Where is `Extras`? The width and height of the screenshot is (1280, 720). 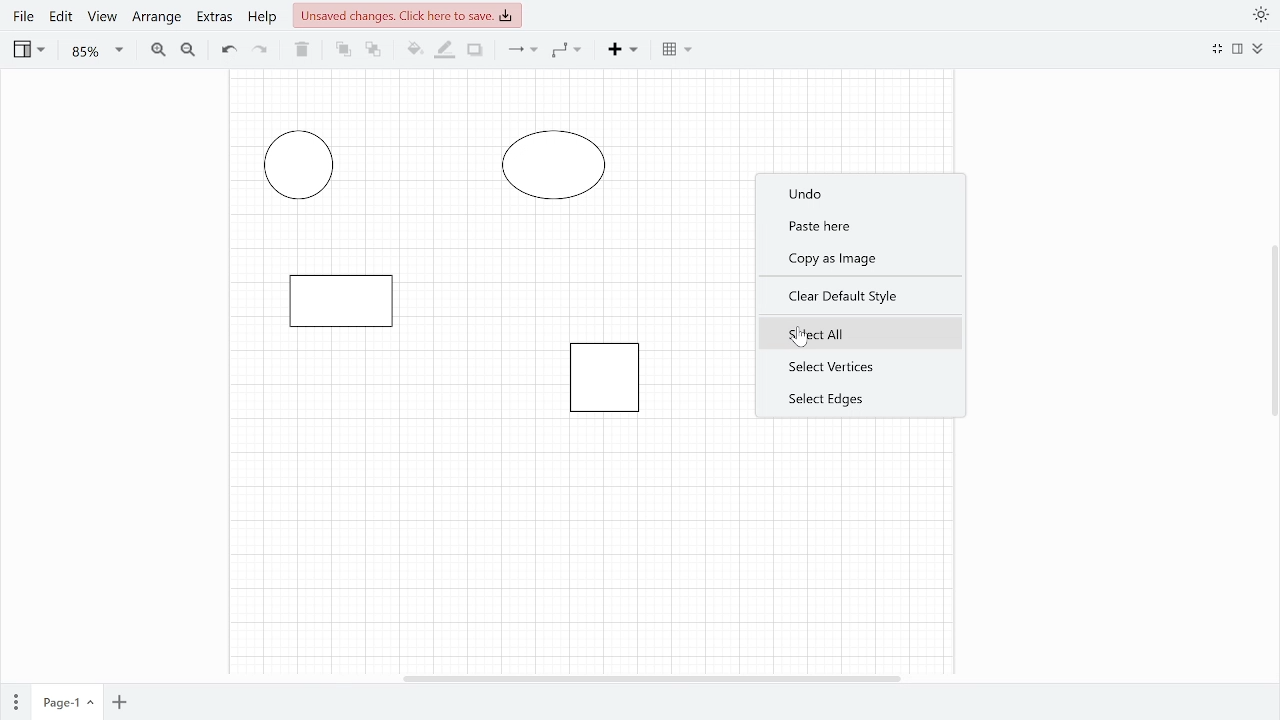
Extras is located at coordinates (214, 19).